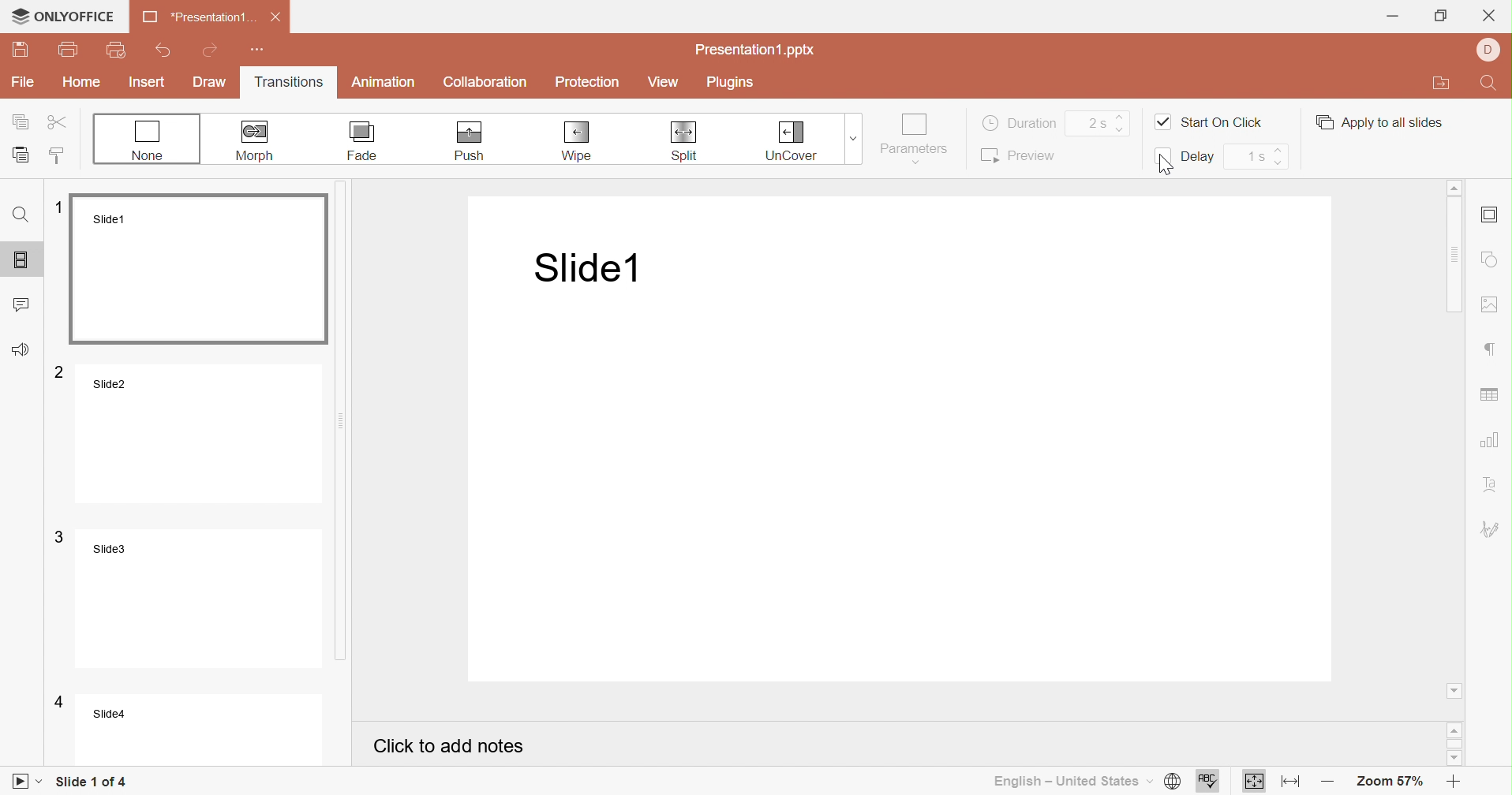 The image size is (1512, 795). Describe the element at coordinates (162, 51) in the screenshot. I see `Undo` at that location.